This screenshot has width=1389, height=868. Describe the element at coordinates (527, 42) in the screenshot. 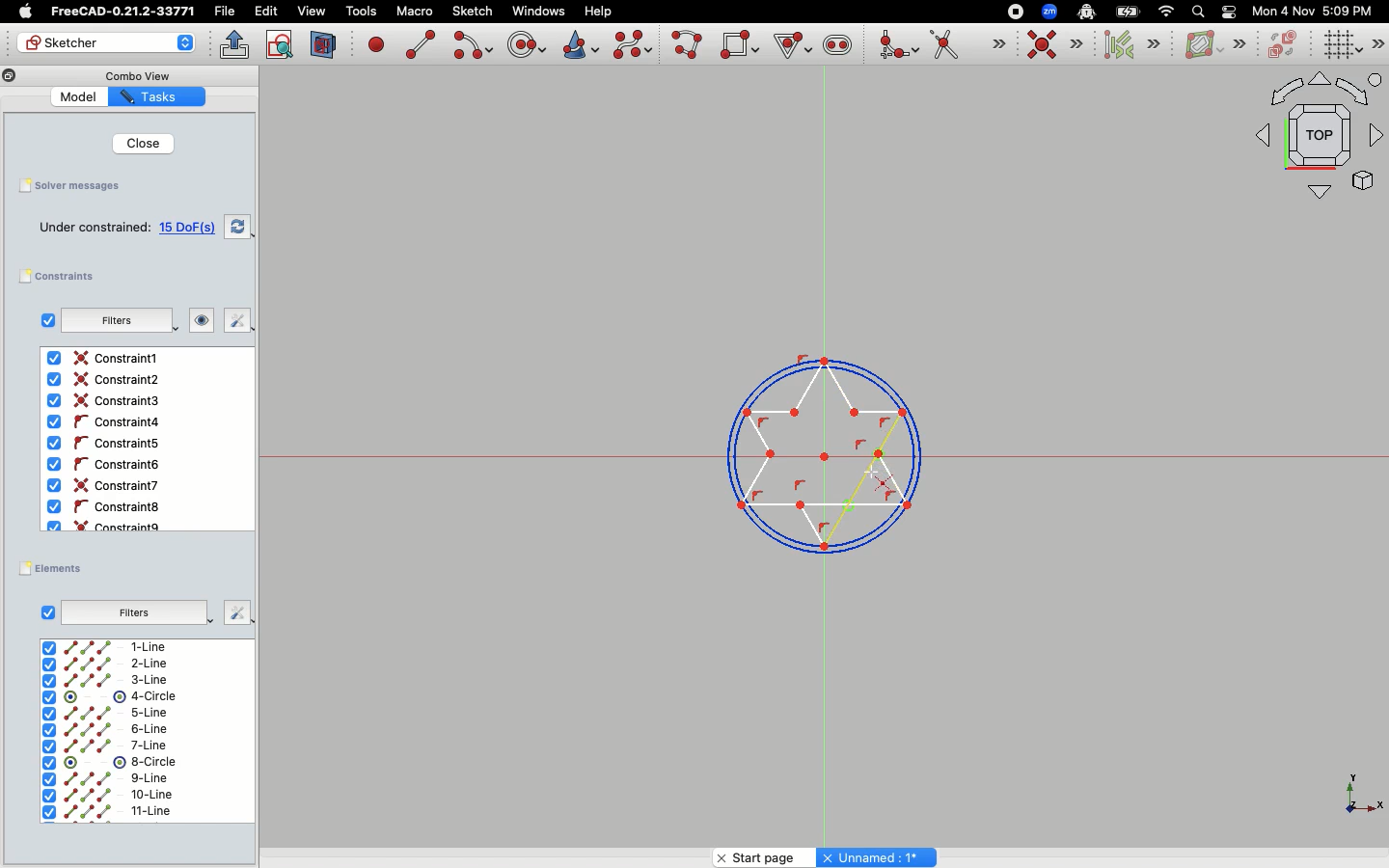

I see `Create circle` at that location.